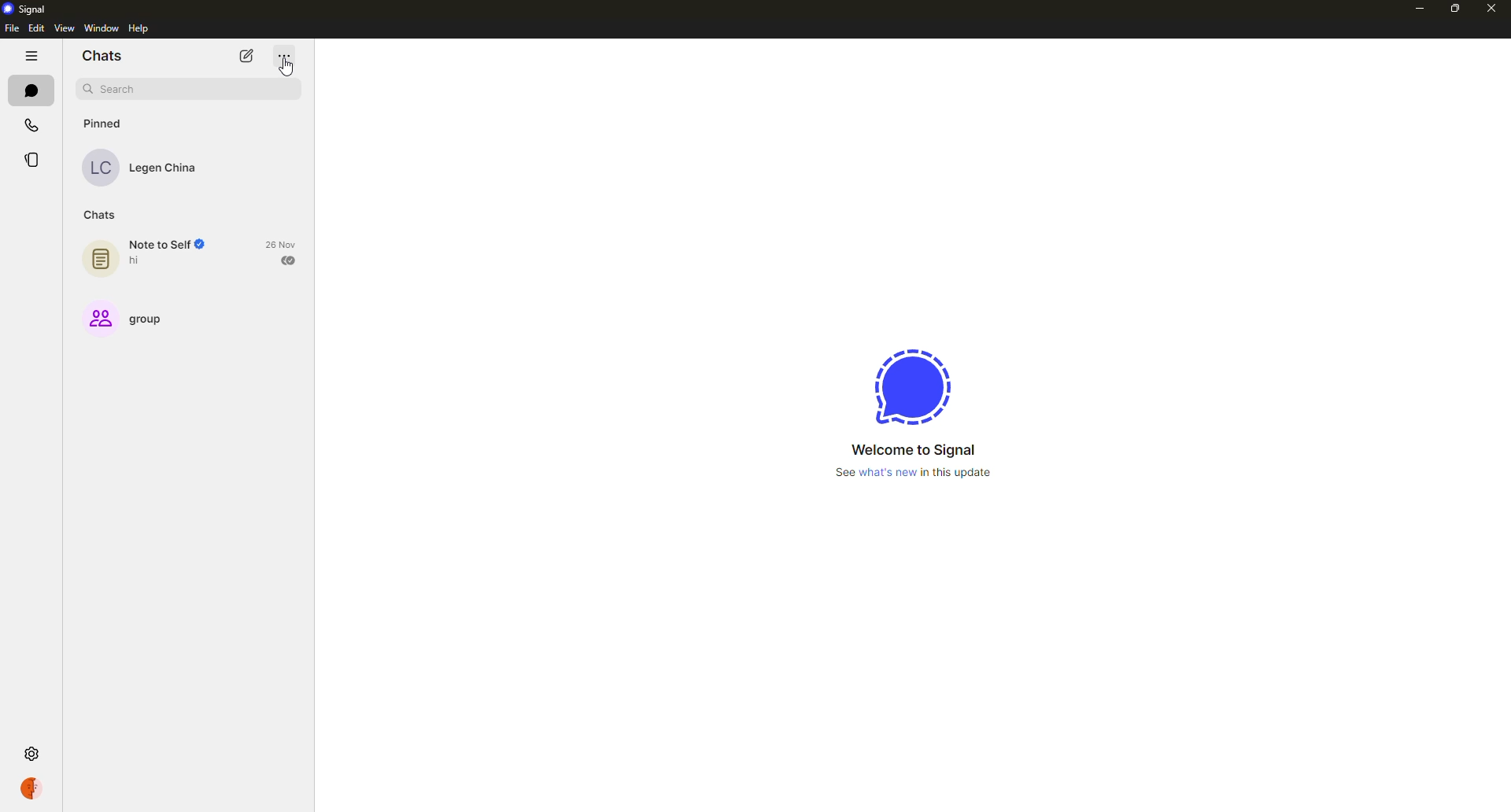 Image resolution: width=1511 pixels, height=812 pixels. Describe the element at coordinates (31, 89) in the screenshot. I see `chats` at that location.